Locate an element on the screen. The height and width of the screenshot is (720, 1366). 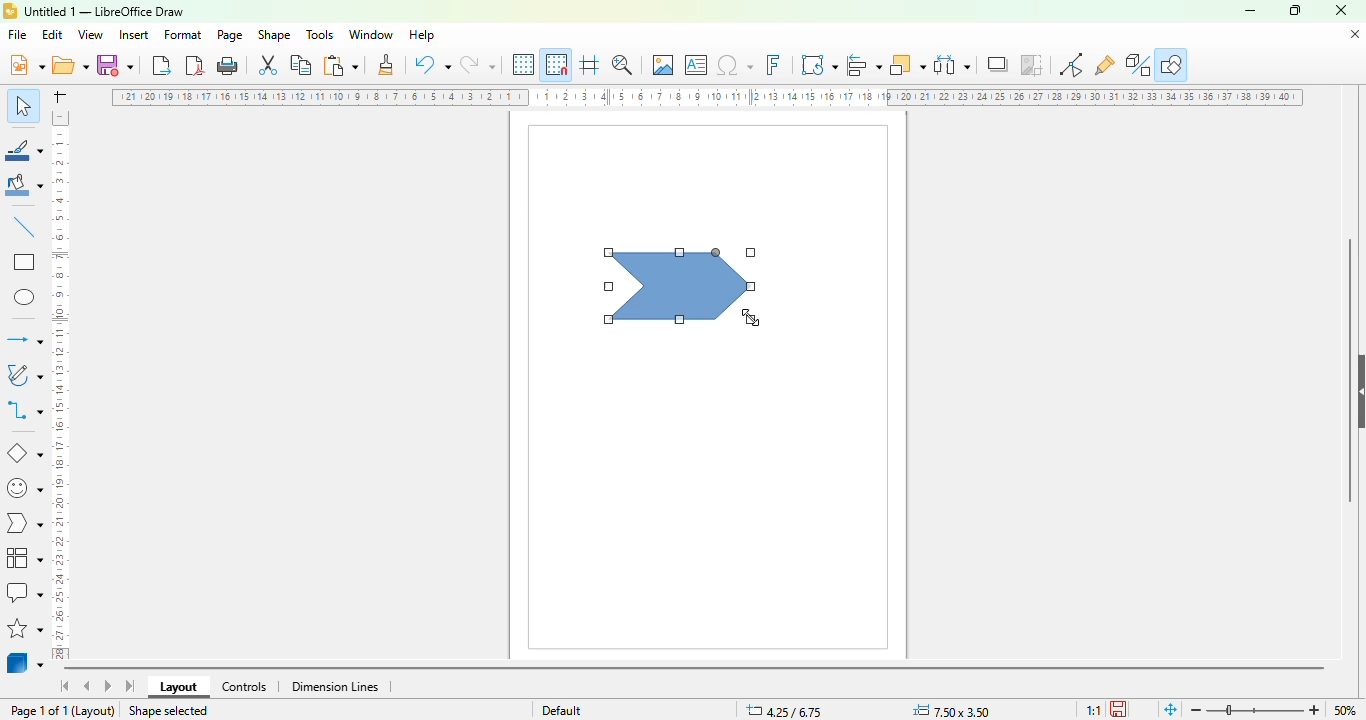
50% is located at coordinates (1345, 710).